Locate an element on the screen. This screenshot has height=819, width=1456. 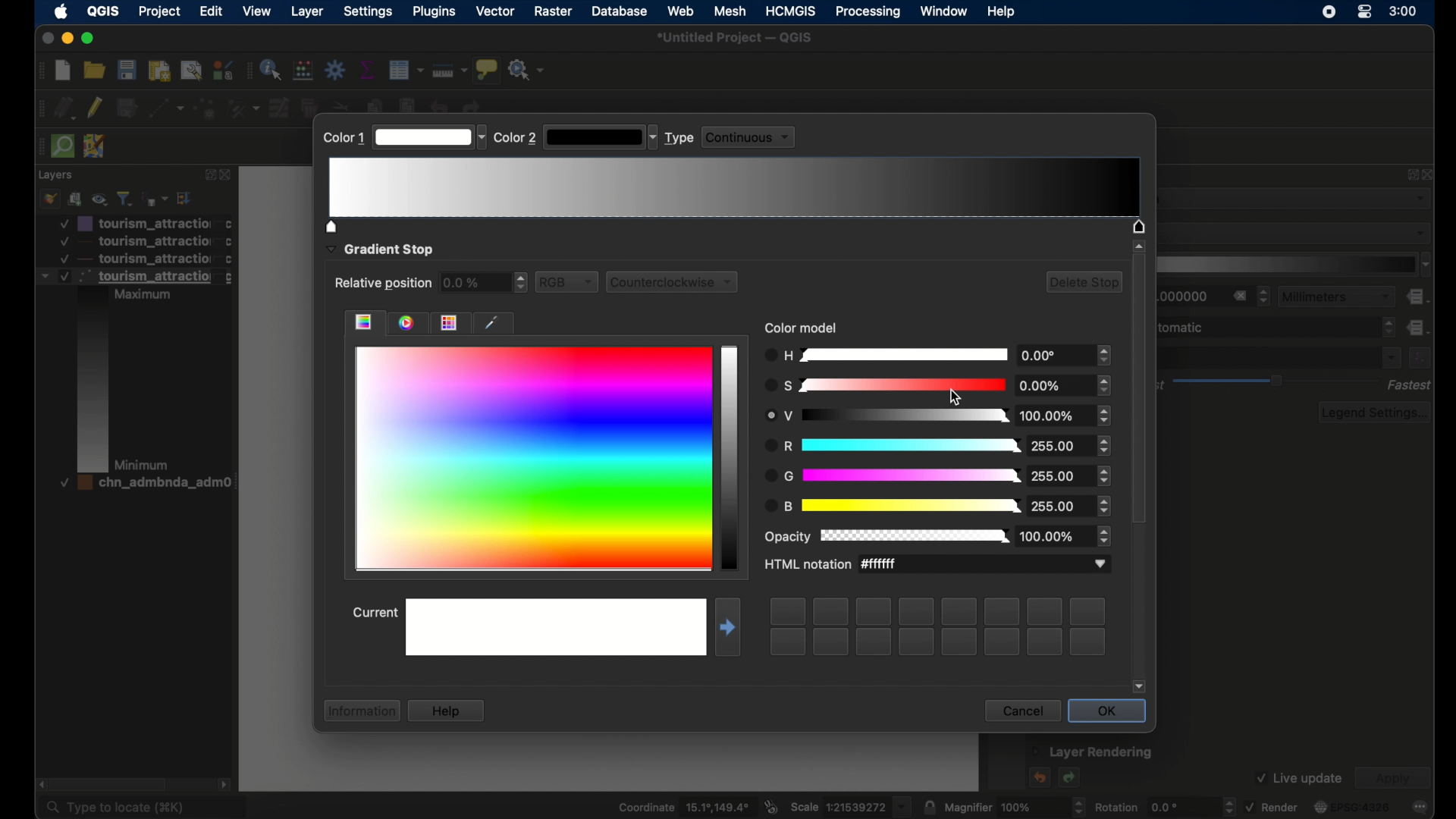
fastest is located at coordinates (1410, 385).